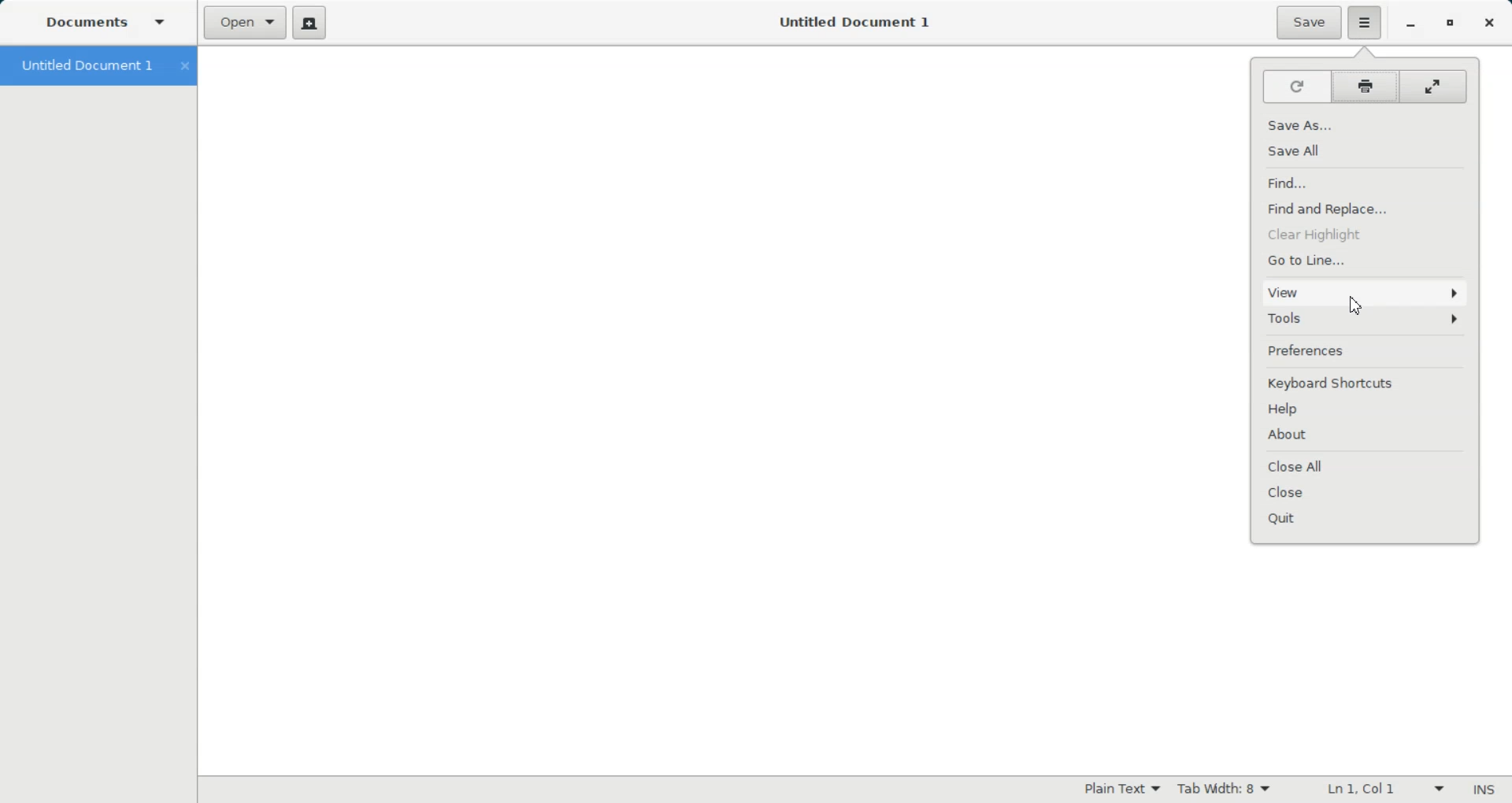 This screenshot has width=1512, height=803. Describe the element at coordinates (184, 66) in the screenshot. I see `Close` at that location.